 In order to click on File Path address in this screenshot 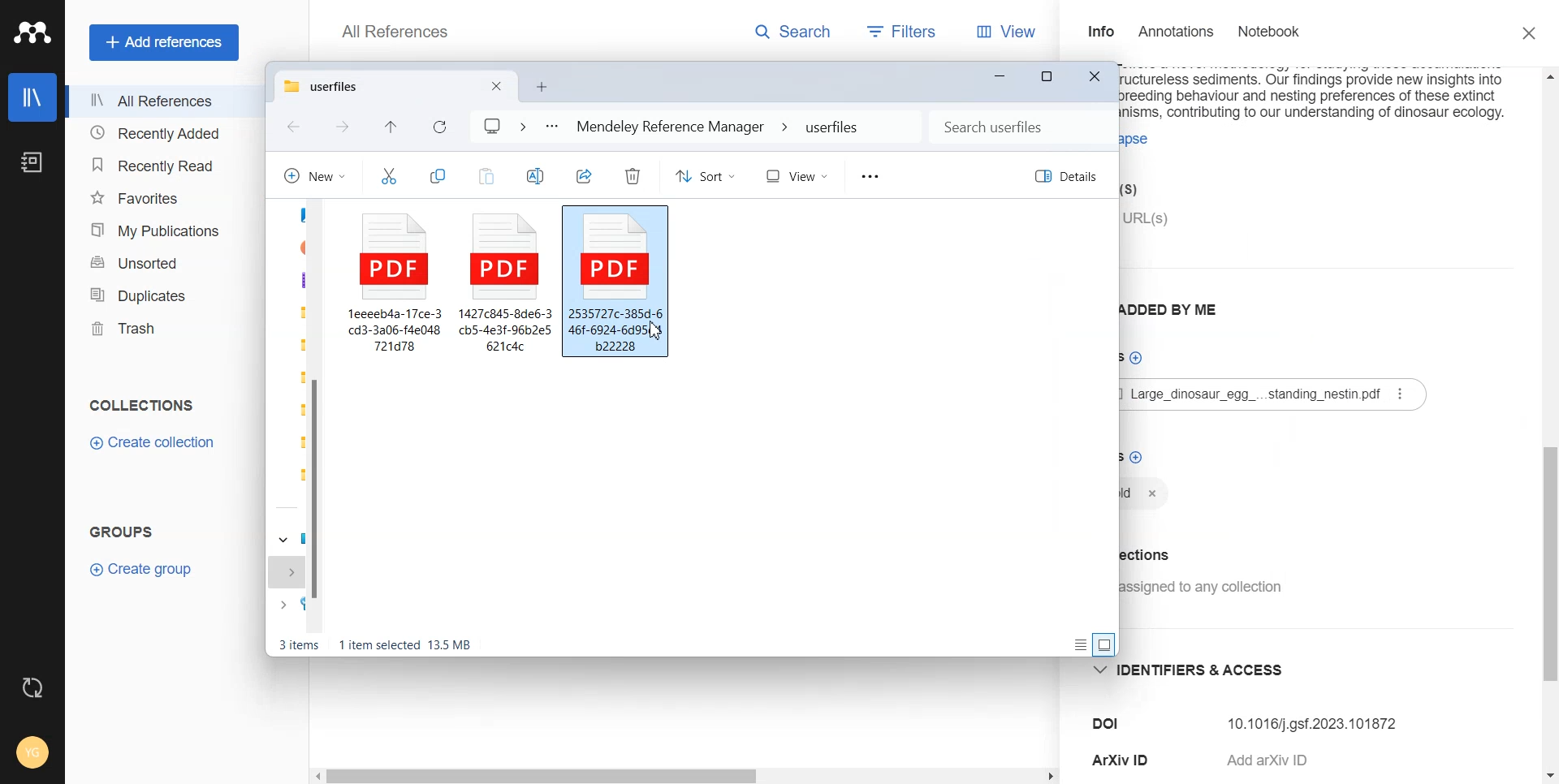, I will do `click(683, 127)`.